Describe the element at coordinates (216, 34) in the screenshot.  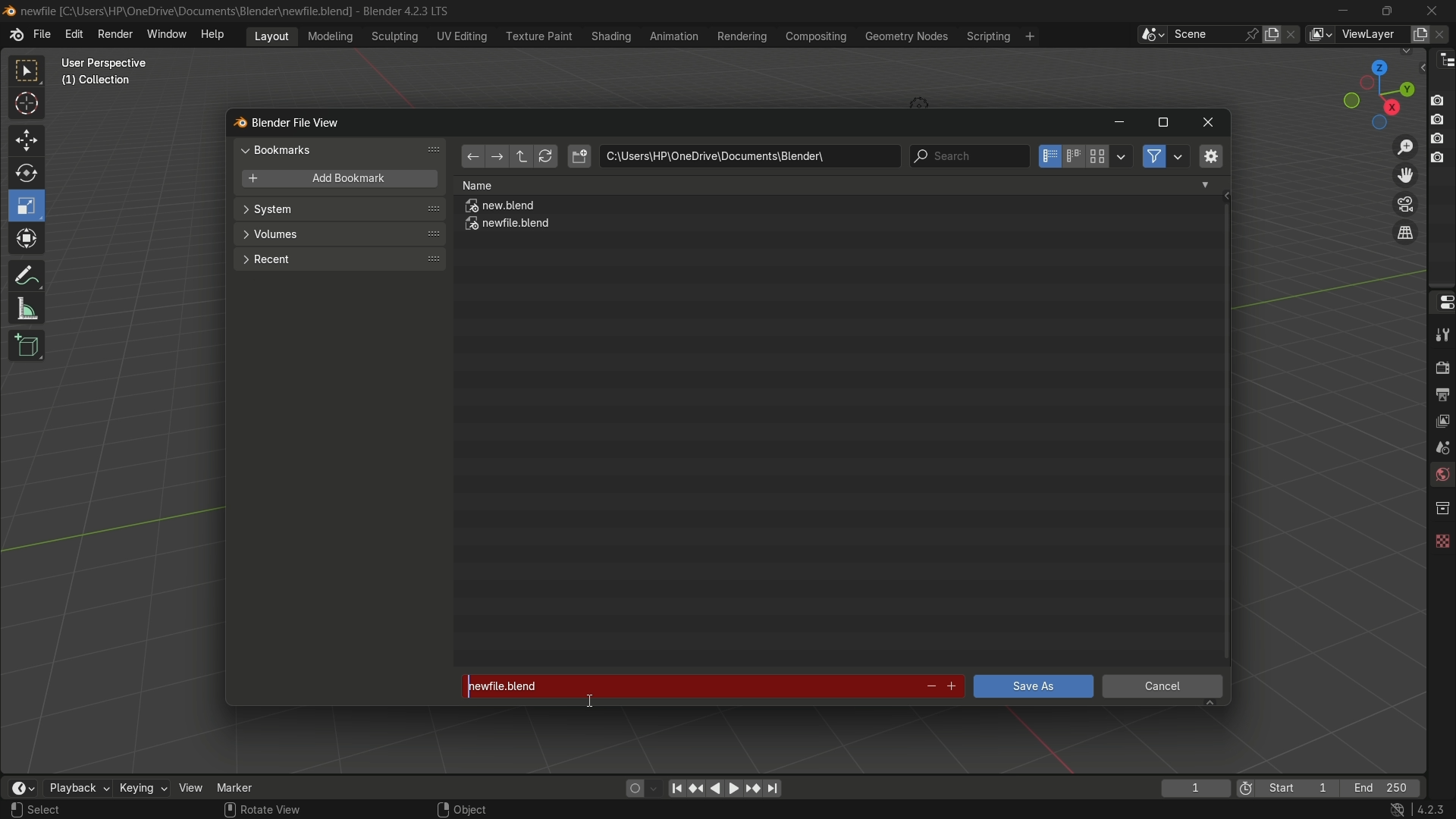
I see `help menu` at that location.